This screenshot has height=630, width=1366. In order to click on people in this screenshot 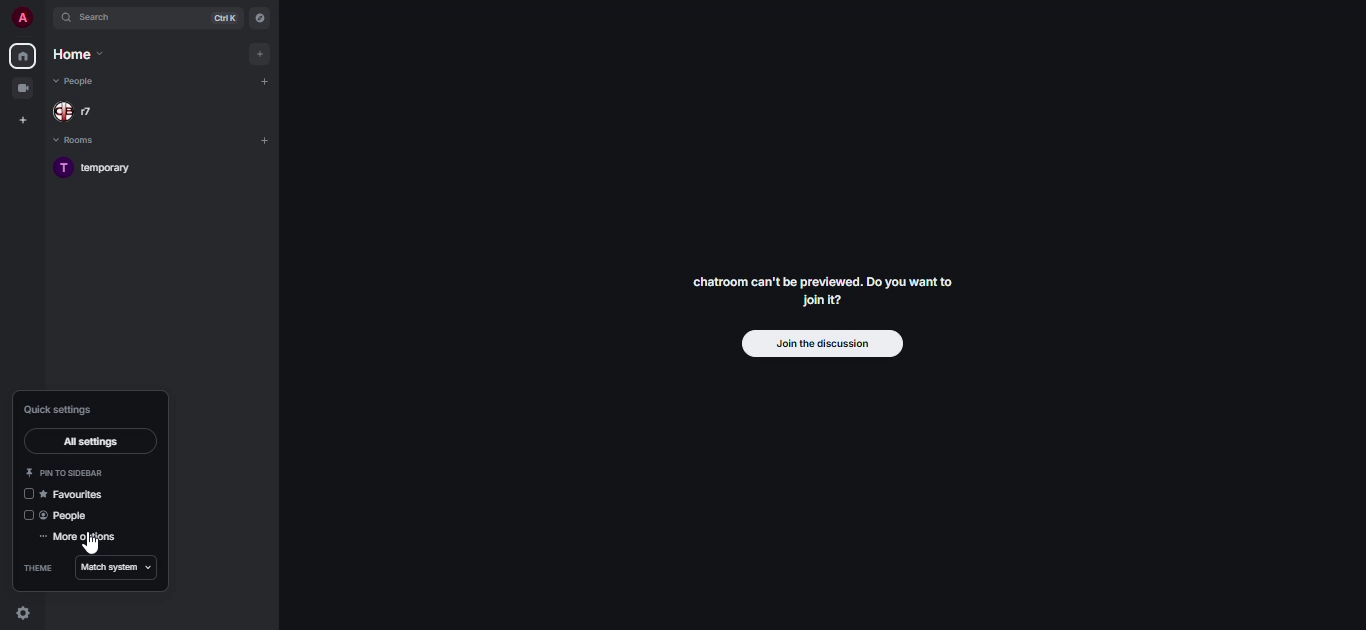, I will do `click(69, 516)`.